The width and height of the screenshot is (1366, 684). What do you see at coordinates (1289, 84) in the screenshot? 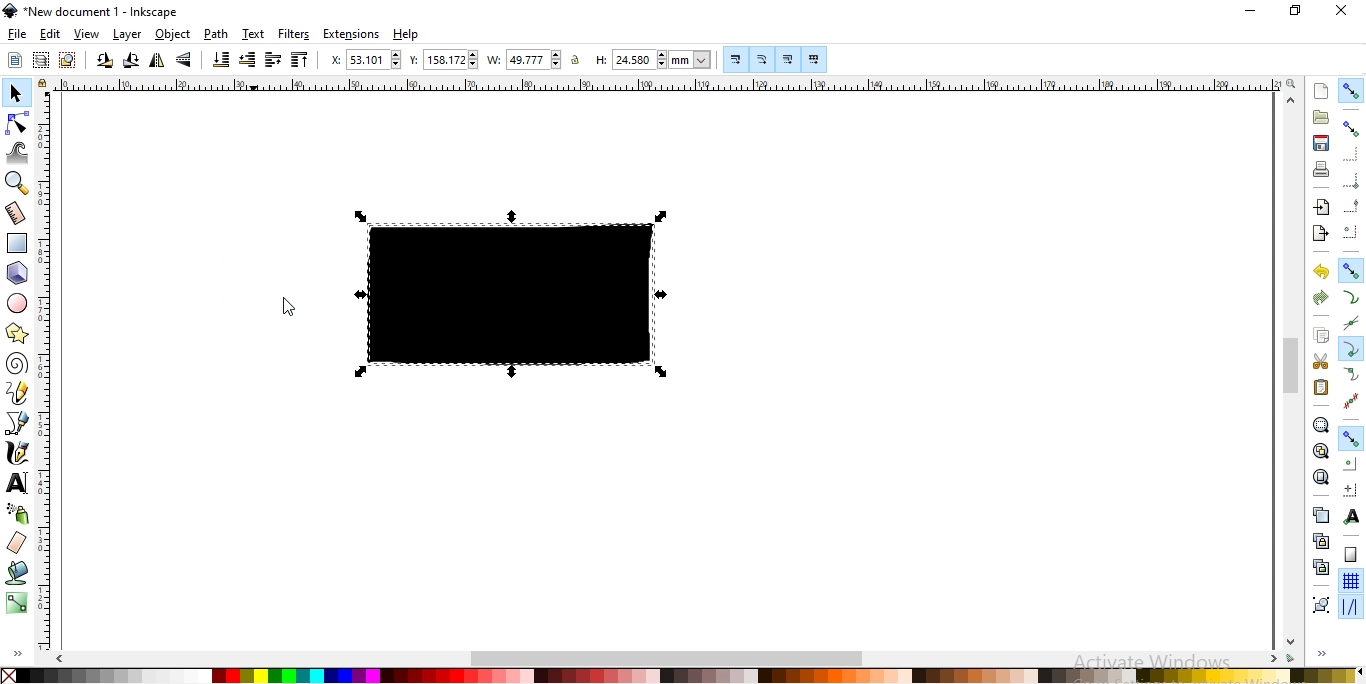
I see `zoom` at bounding box center [1289, 84].